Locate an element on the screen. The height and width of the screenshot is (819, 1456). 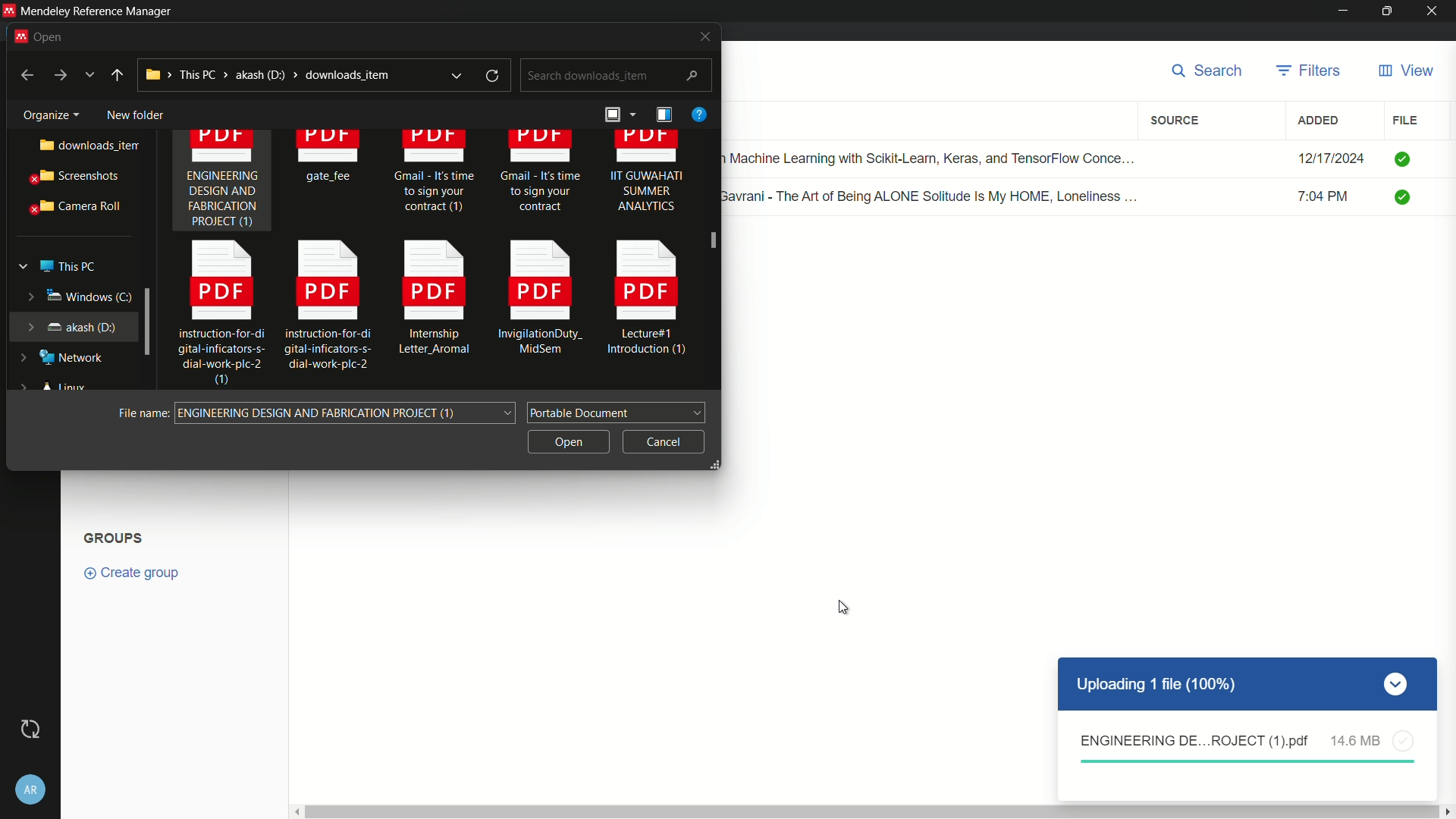
search is located at coordinates (1212, 72).